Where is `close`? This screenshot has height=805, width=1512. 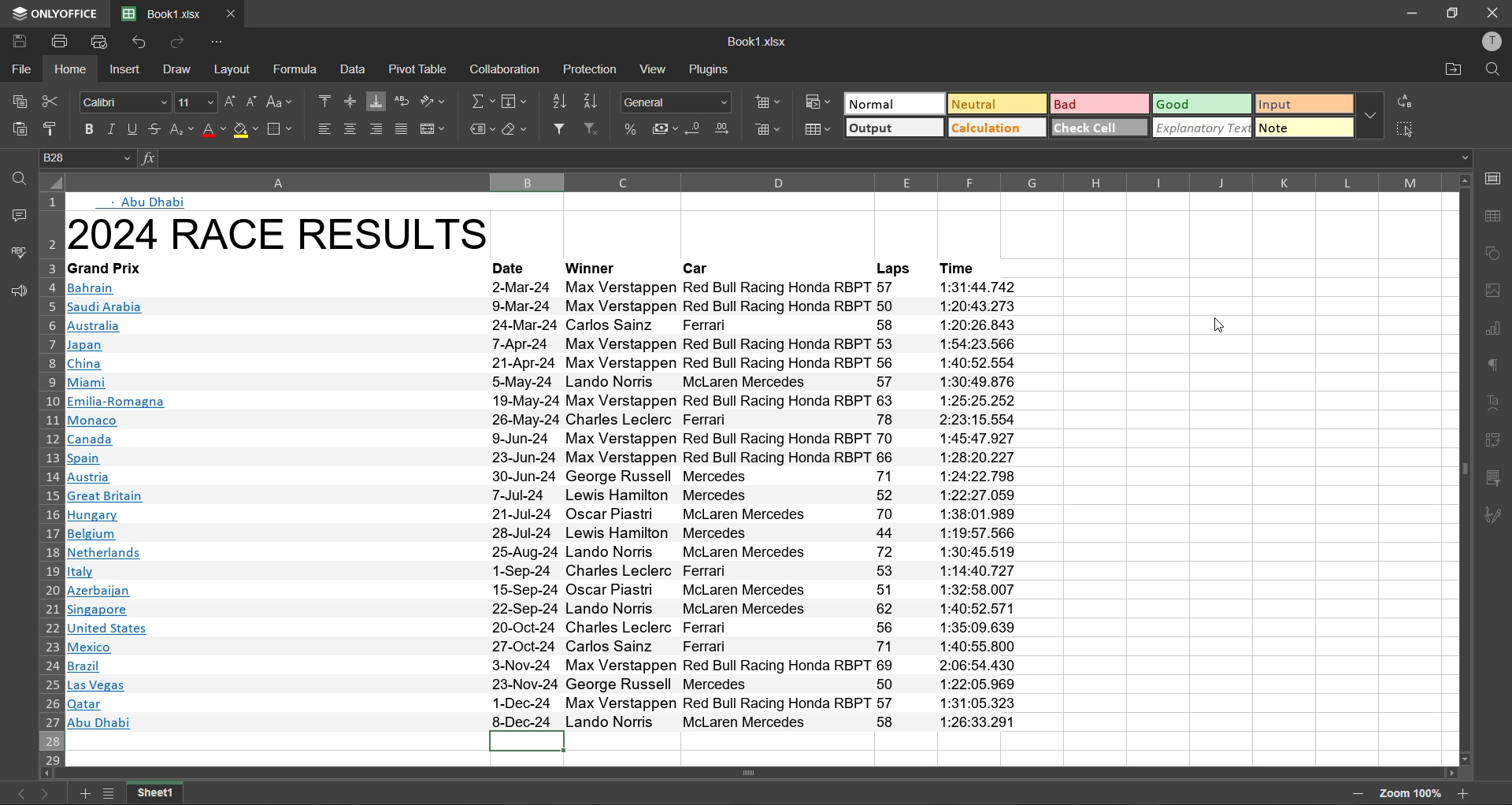
close is located at coordinates (1494, 12).